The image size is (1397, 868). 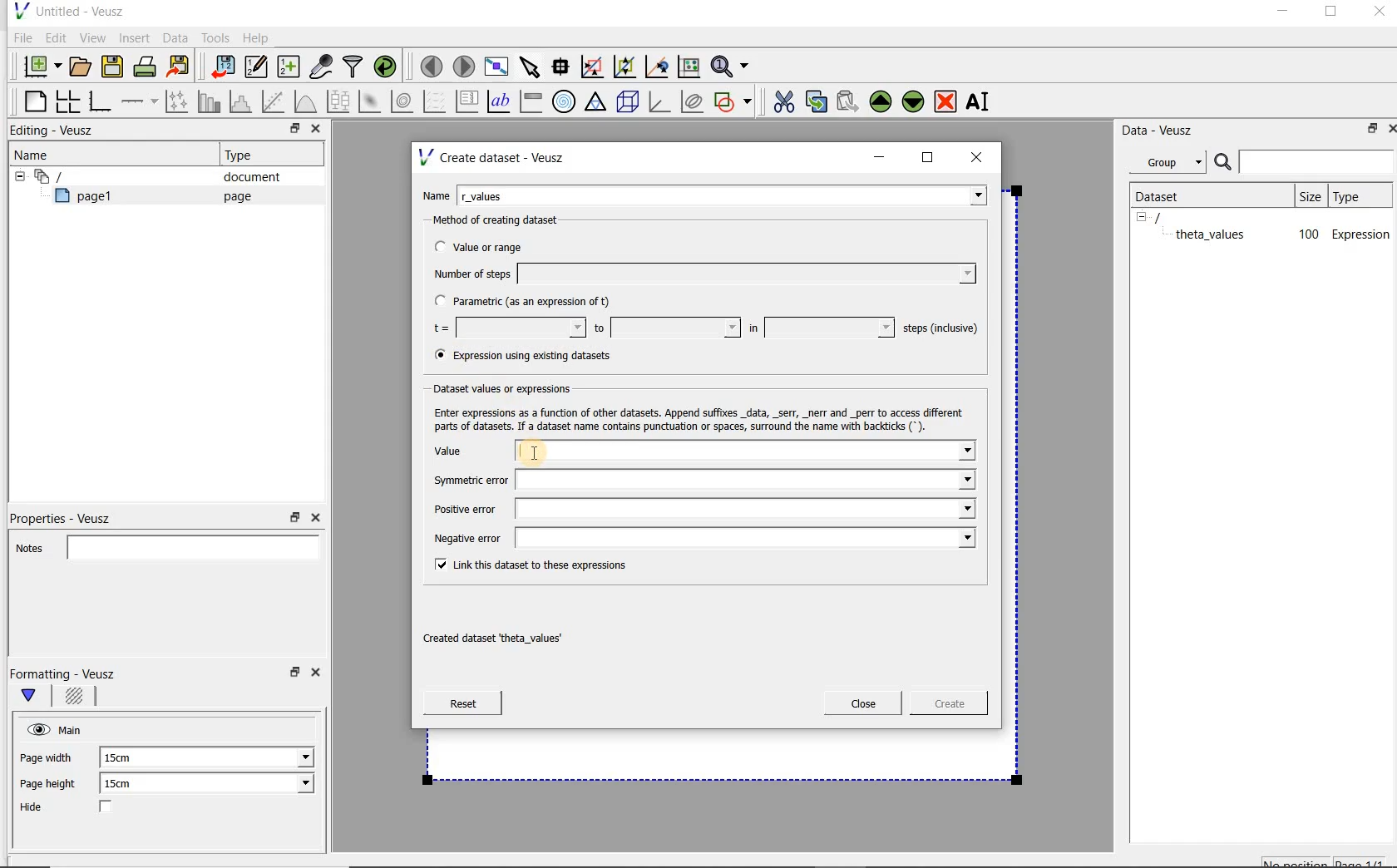 I want to click on restore down, so click(x=295, y=518).